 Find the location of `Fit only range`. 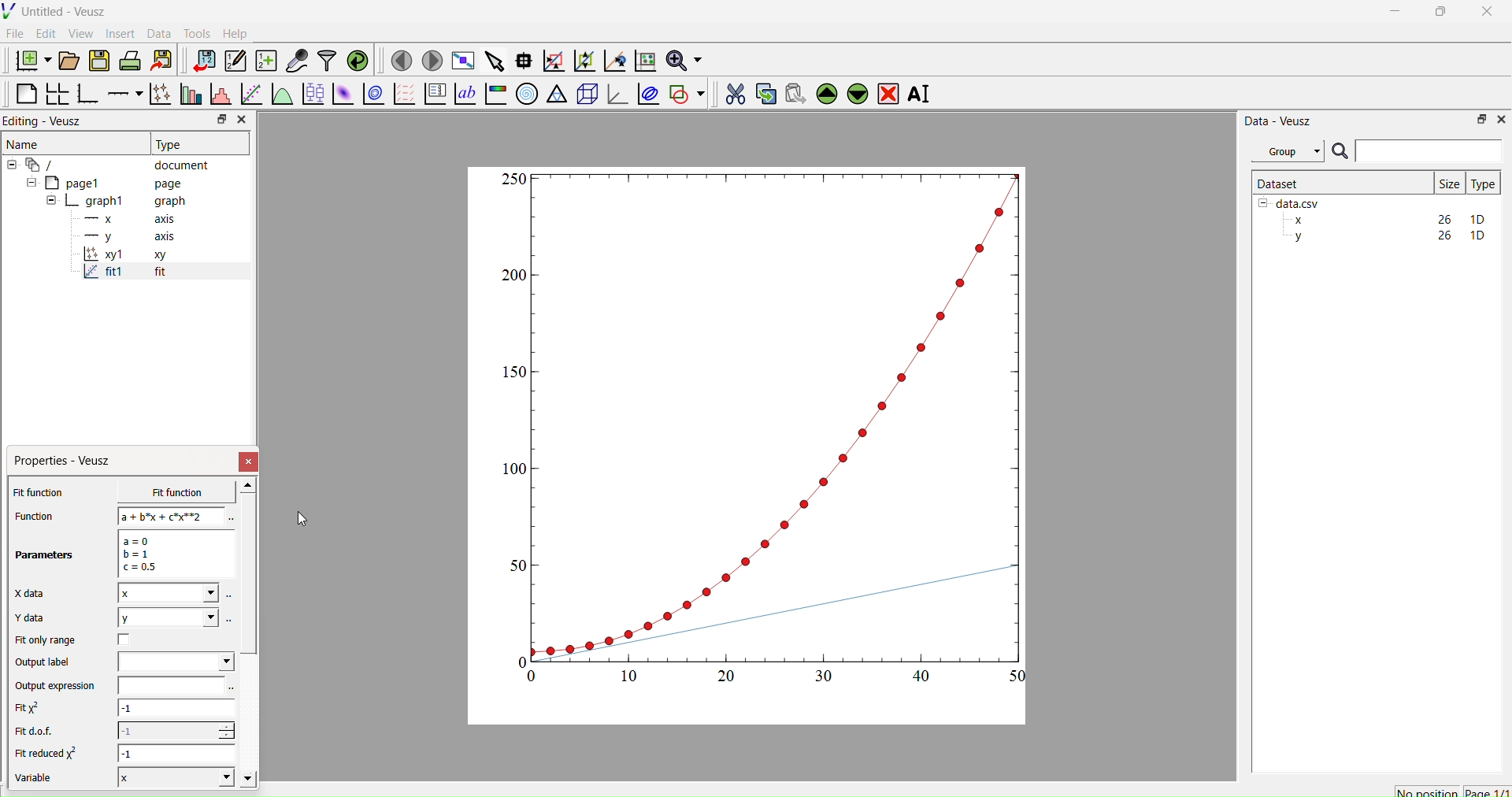

Fit only range is located at coordinates (46, 640).